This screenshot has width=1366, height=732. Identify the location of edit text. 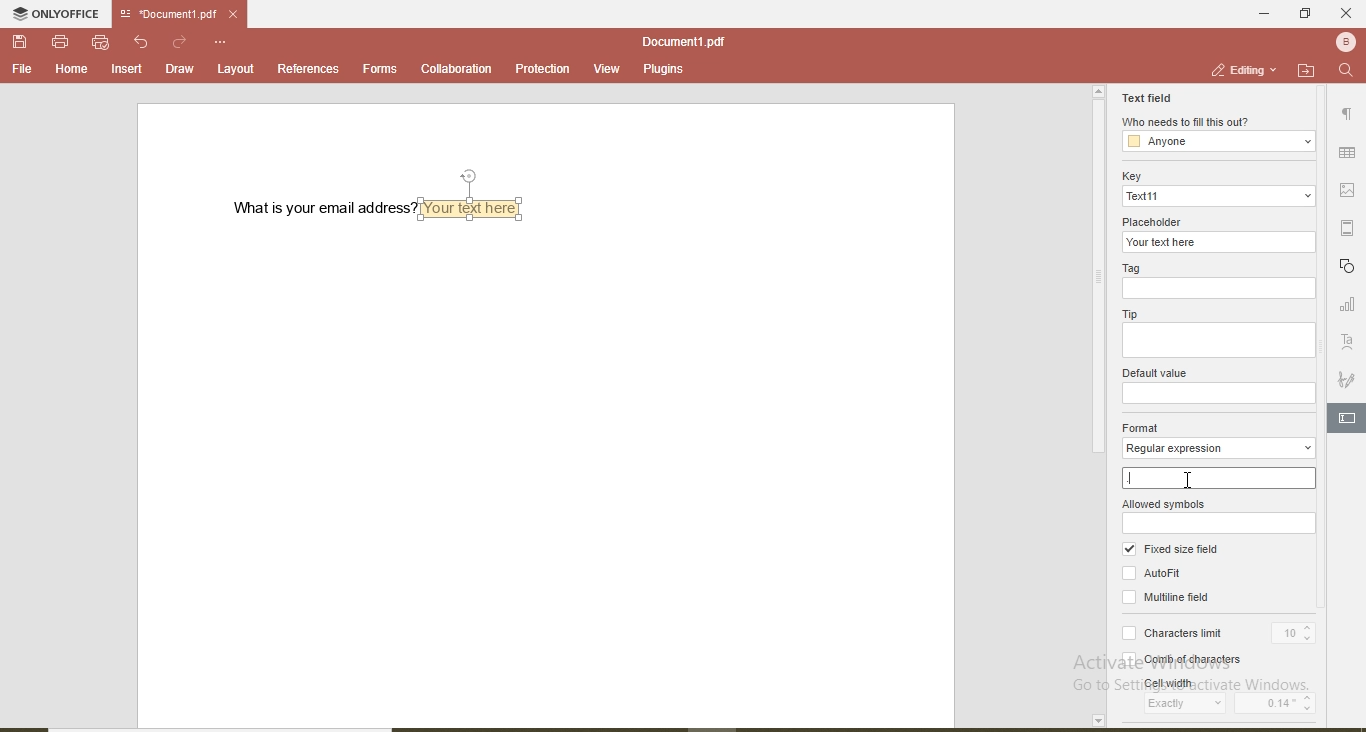
(1350, 416).